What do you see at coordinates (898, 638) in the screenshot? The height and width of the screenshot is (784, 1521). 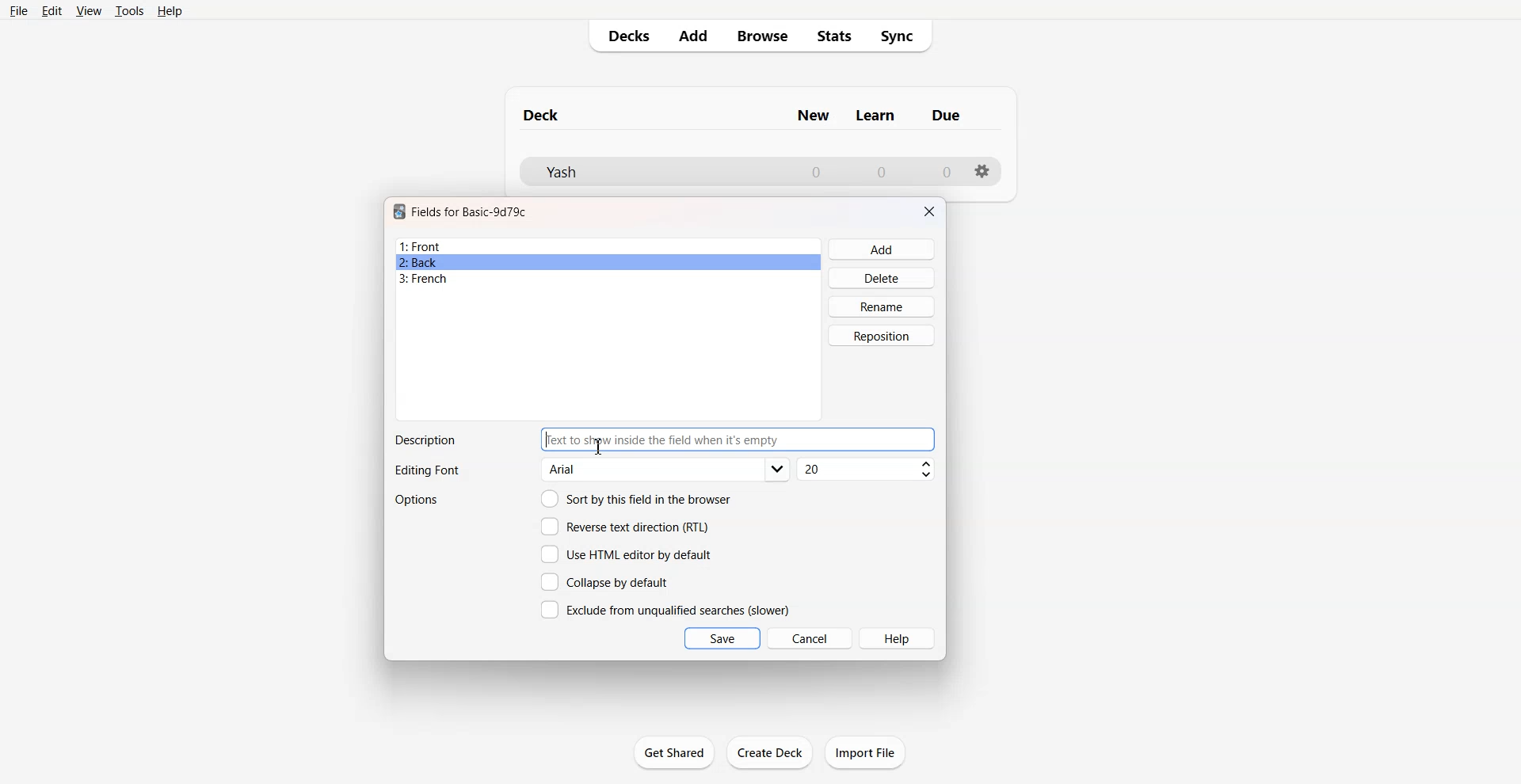 I see `Help` at bounding box center [898, 638].